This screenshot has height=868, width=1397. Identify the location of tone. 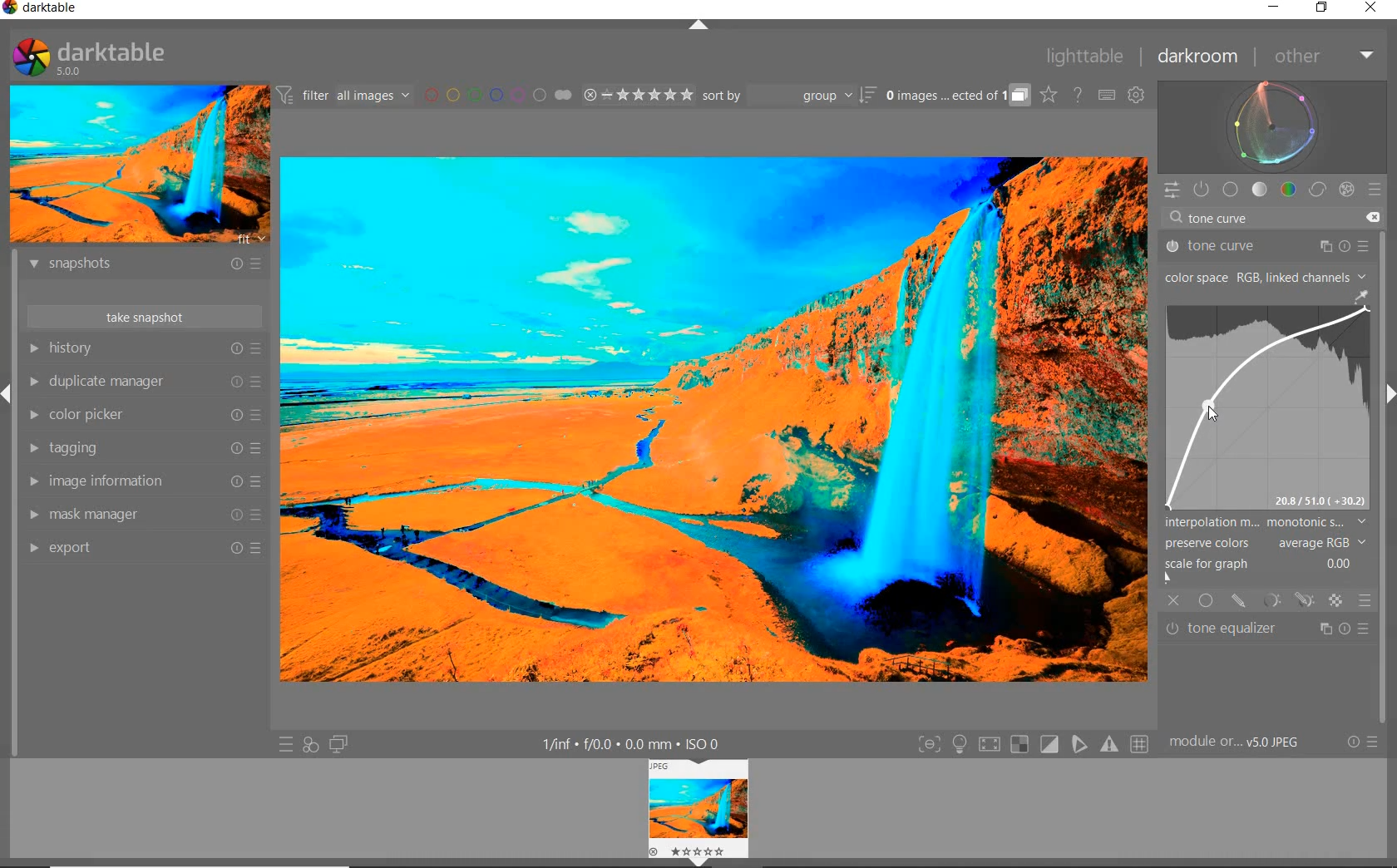
(1260, 190).